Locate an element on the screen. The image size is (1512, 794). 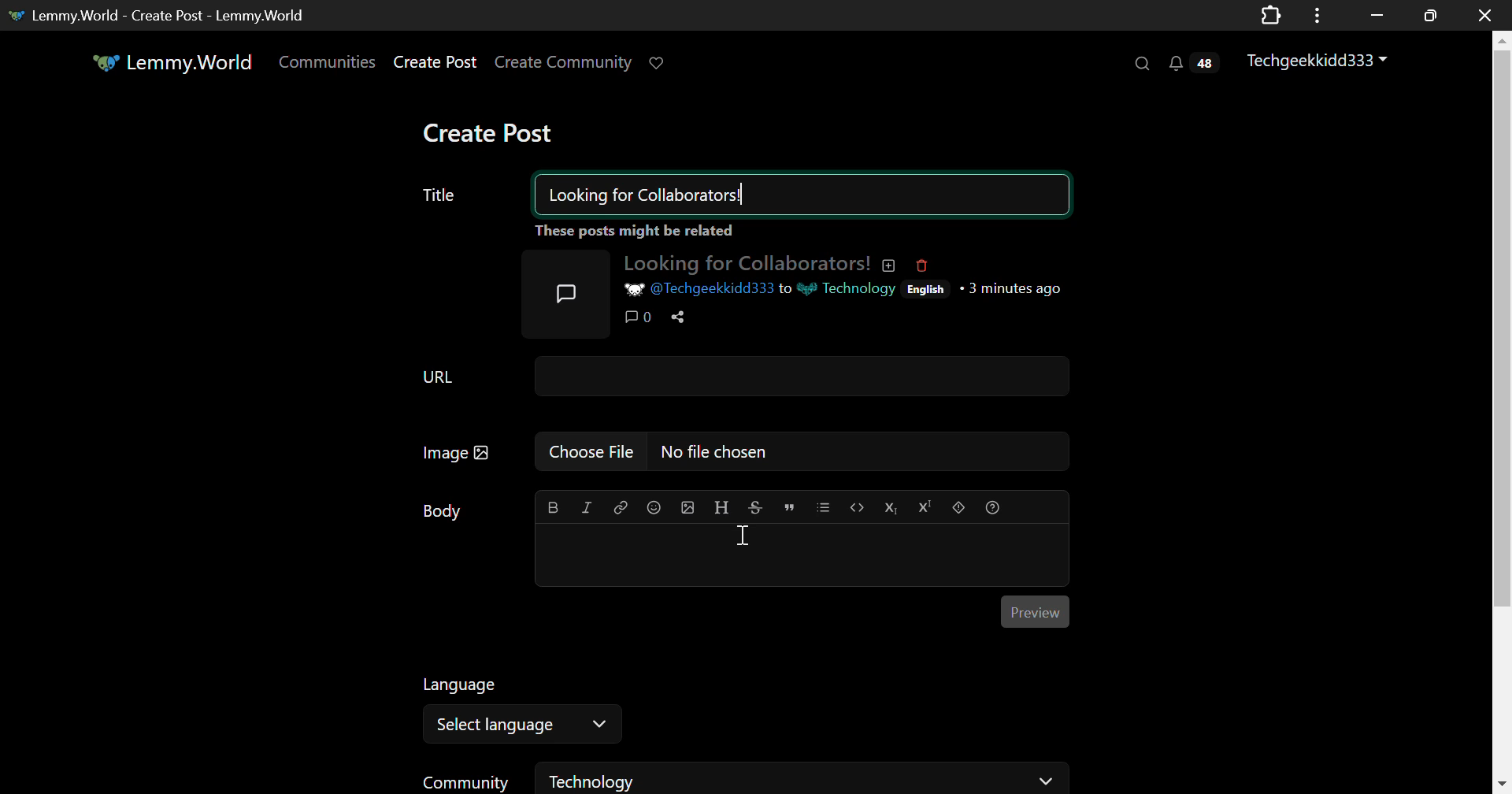
quote is located at coordinates (788, 509).